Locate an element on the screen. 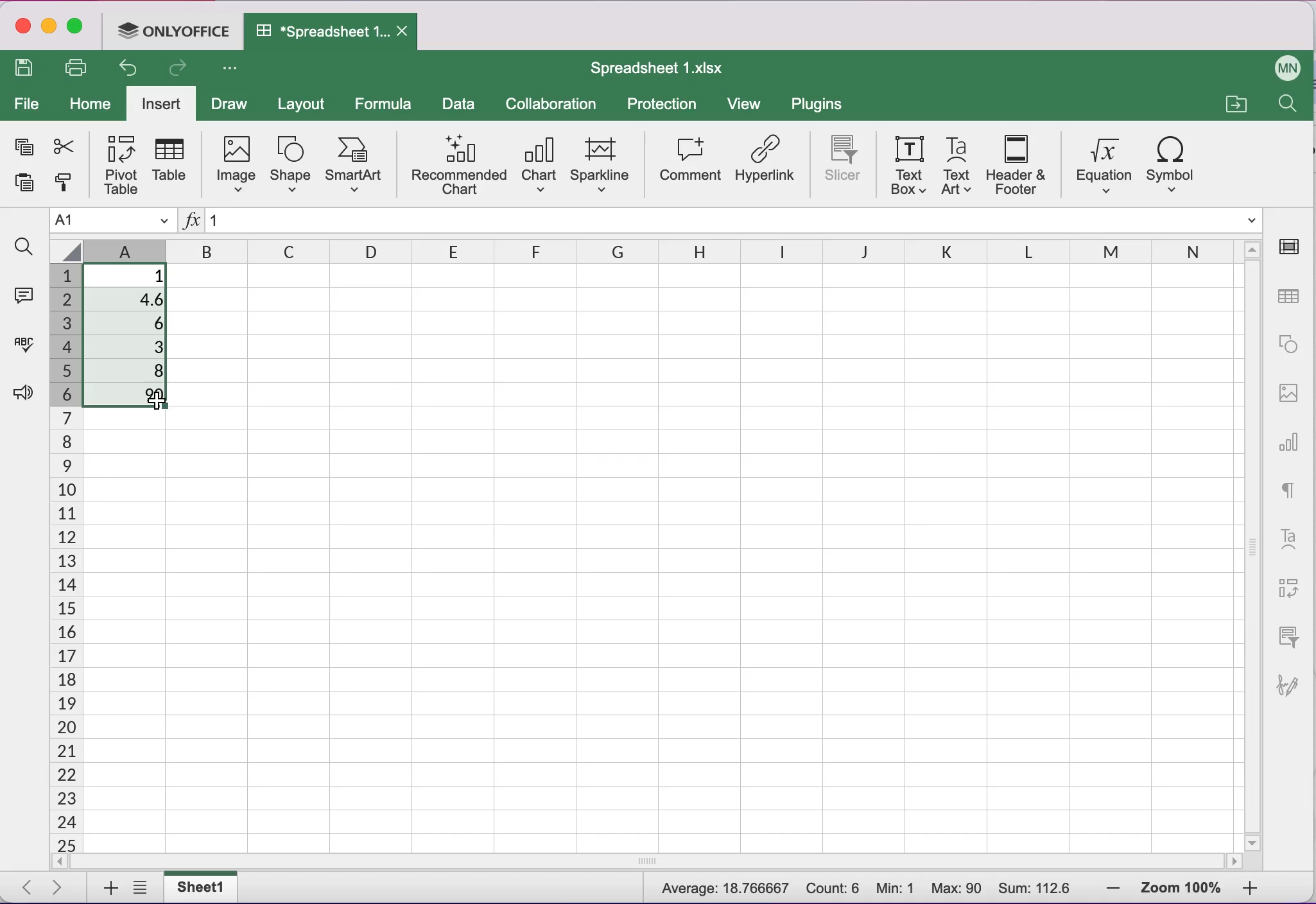 This screenshot has height=904, width=1316. User name is located at coordinates (1283, 67).